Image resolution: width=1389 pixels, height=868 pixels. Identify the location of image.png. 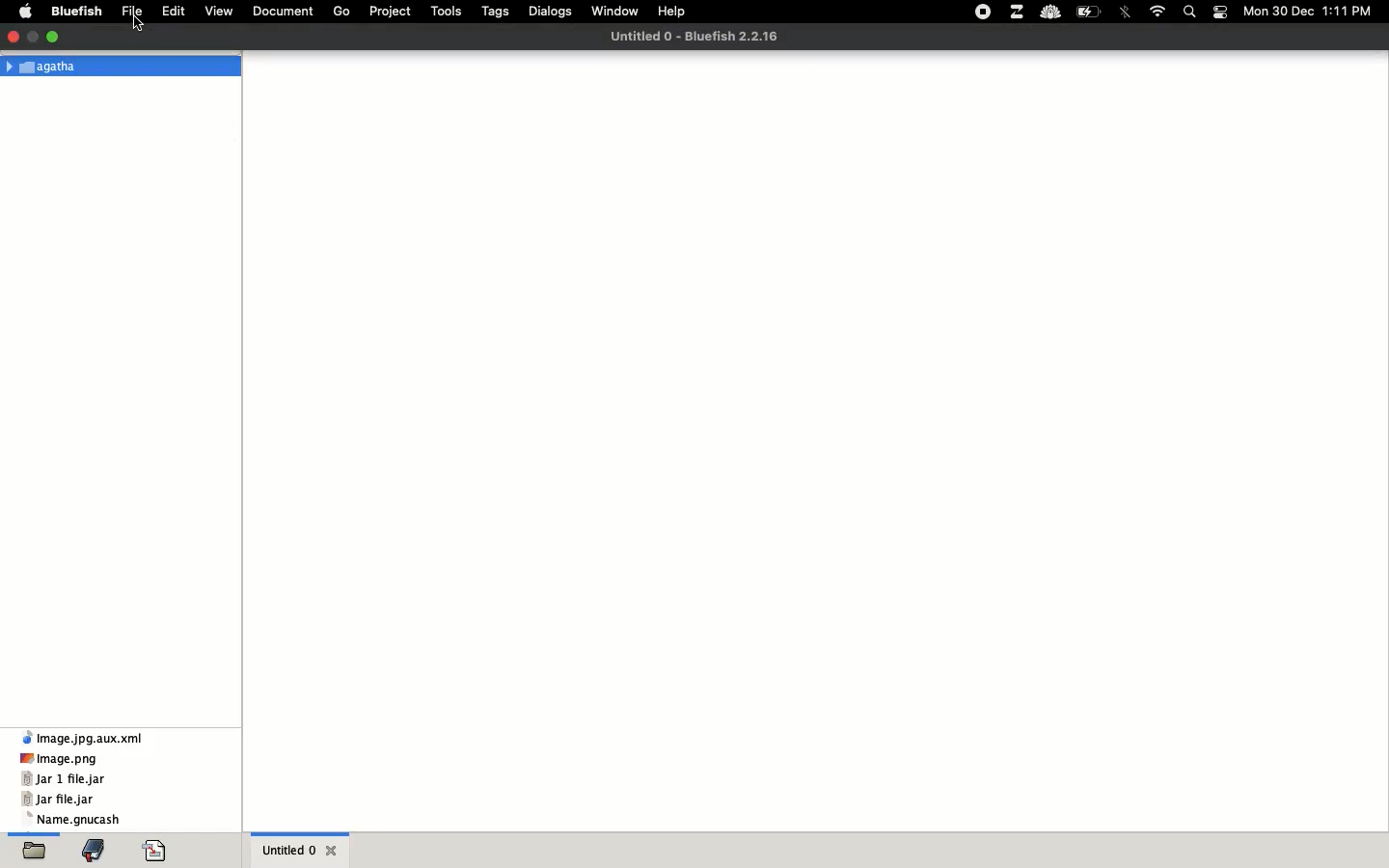
(60, 758).